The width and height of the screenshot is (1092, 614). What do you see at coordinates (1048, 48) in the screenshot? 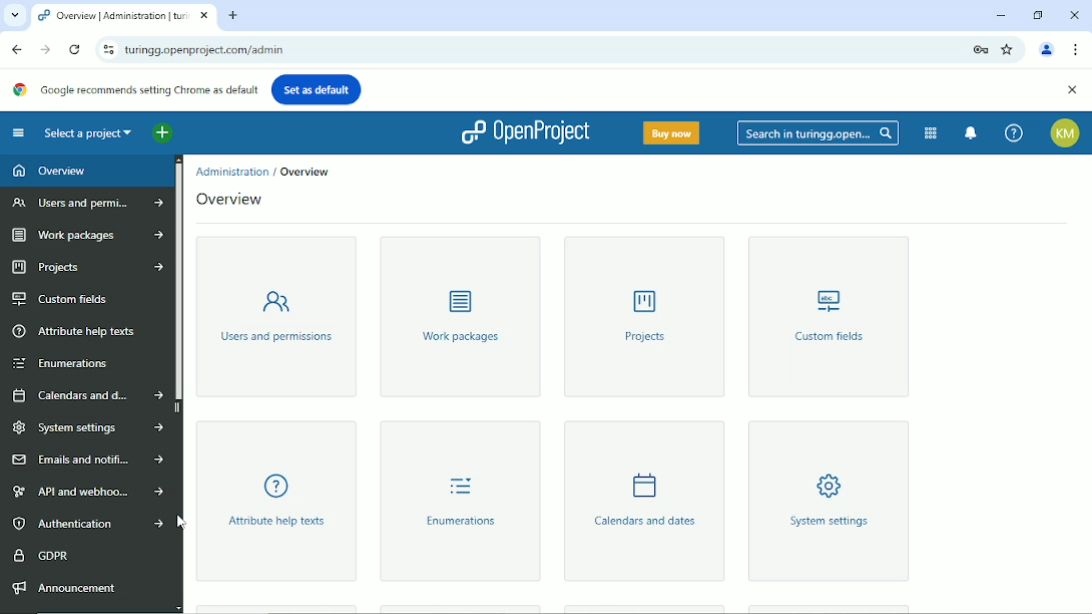
I see `Account` at bounding box center [1048, 48].